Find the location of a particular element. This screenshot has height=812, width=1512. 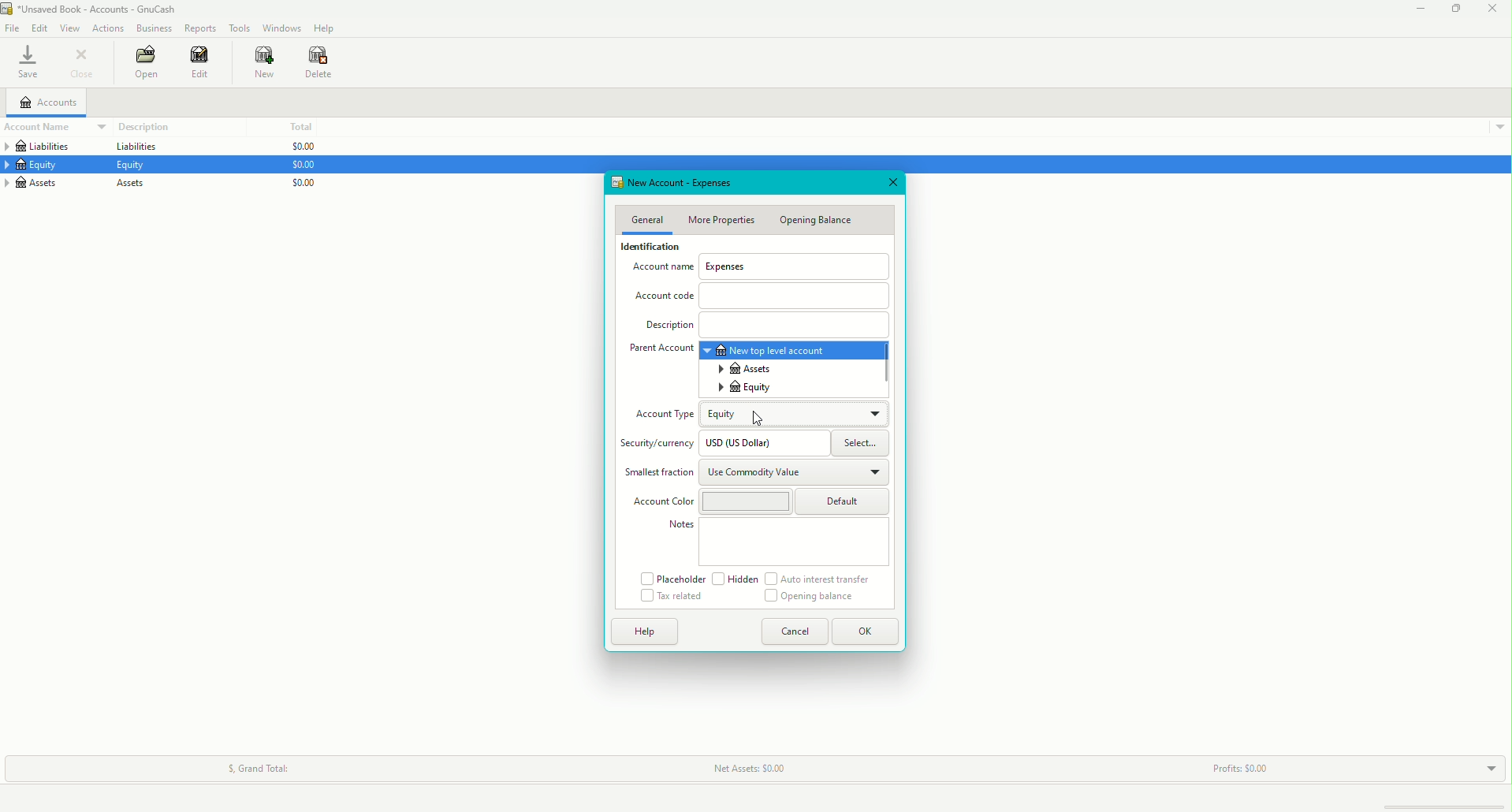

Tax related is located at coordinates (672, 597).